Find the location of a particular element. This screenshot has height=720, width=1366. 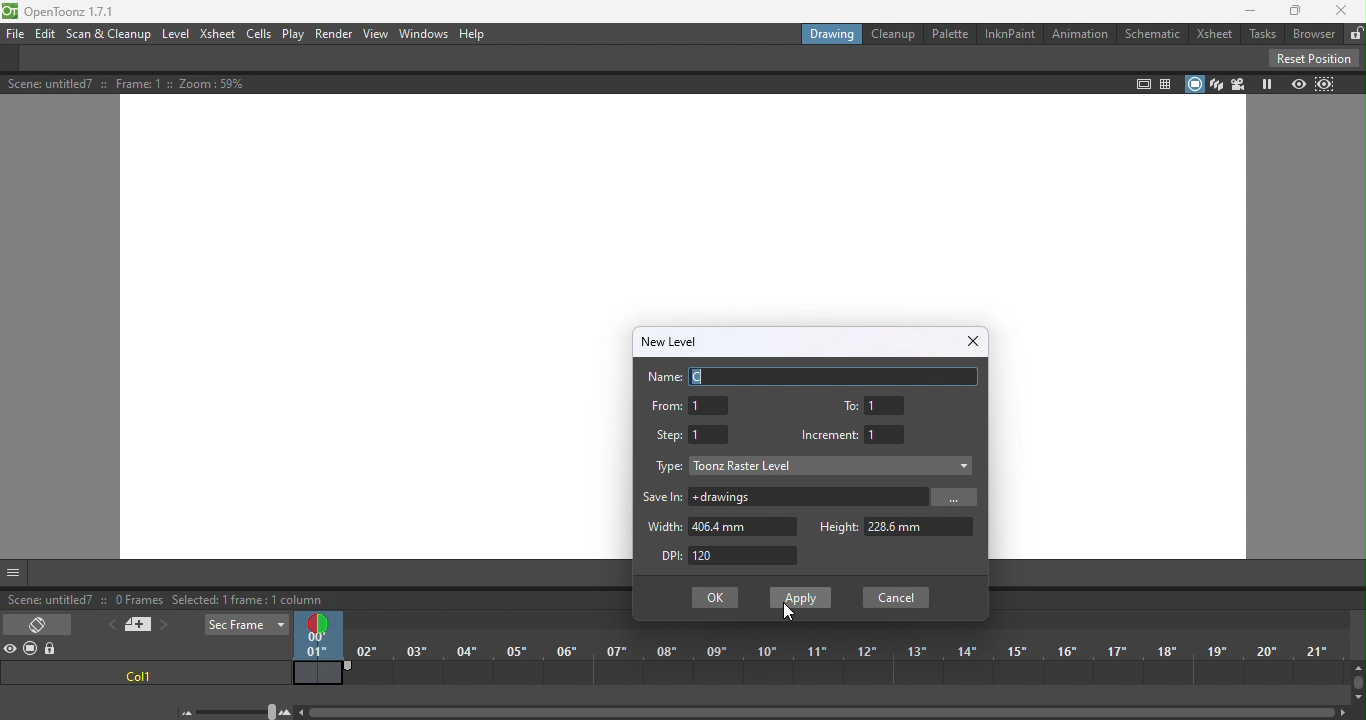

sub-camera preview is located at coordinates (1326, 84).